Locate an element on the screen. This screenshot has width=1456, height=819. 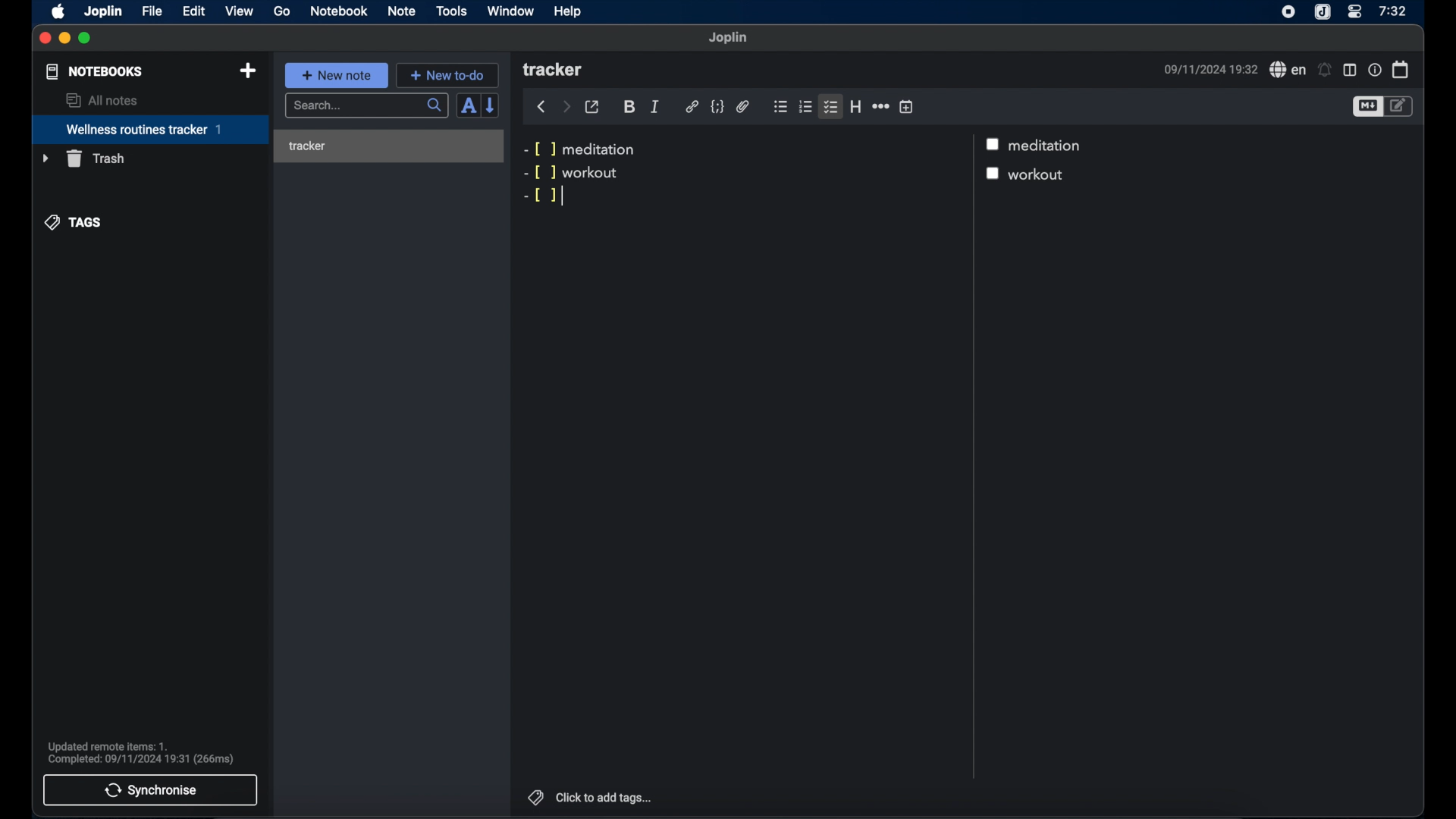
tracker is located at coordinates (388, 143).